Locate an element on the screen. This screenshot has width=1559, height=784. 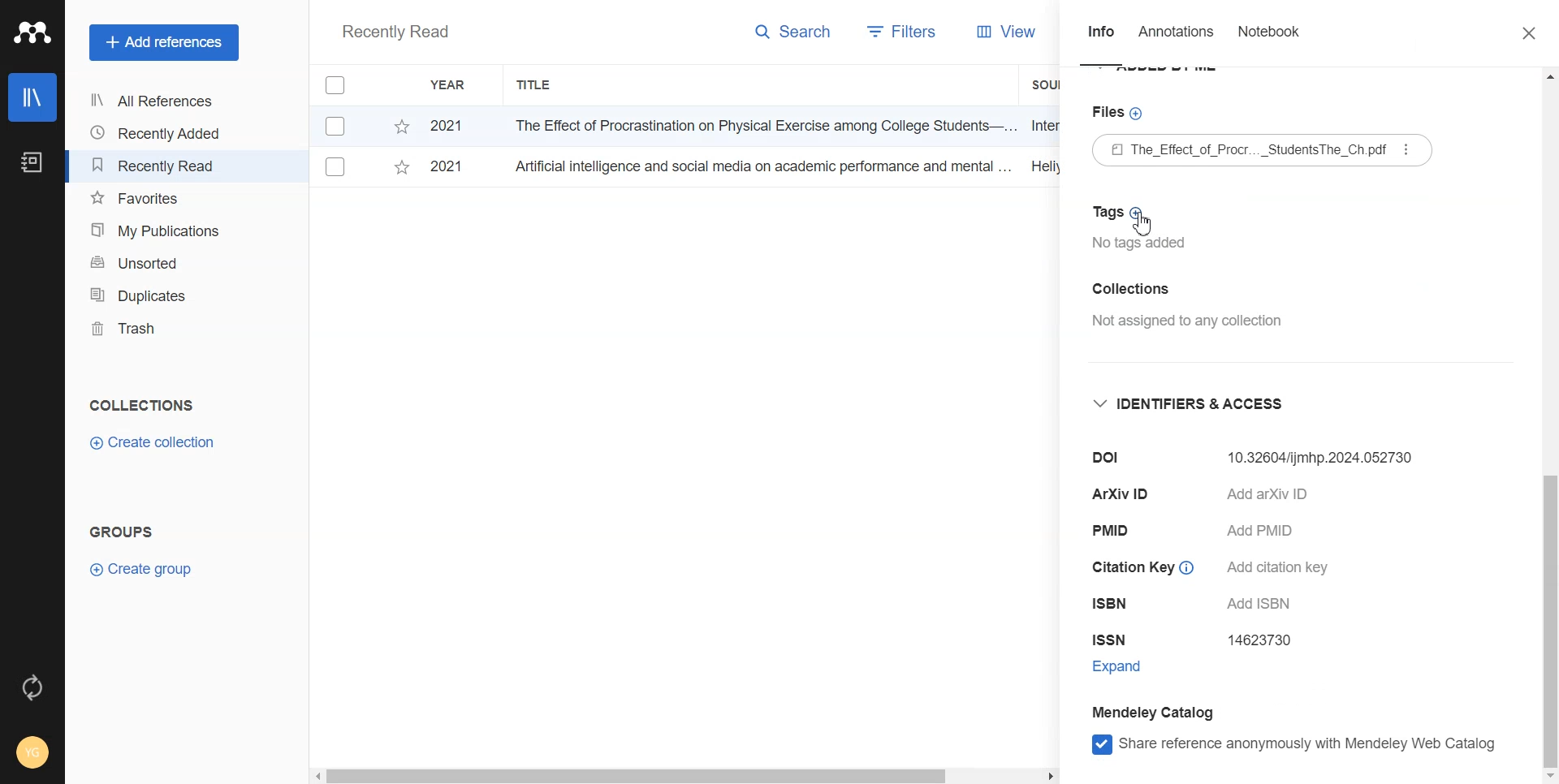
Filters is located at coordinates (902, 32).